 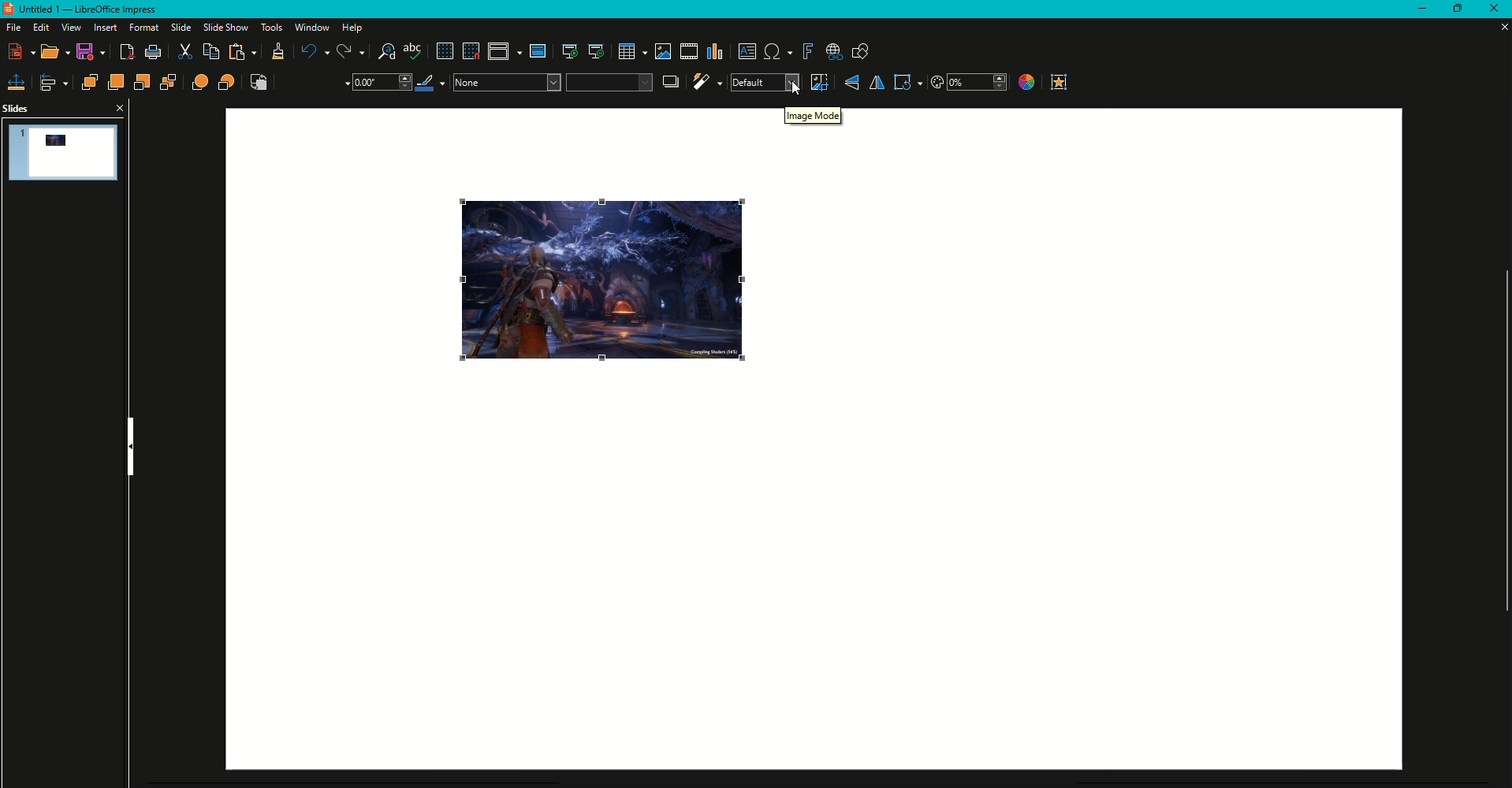 What do you see at coordinates (259, 83) in the screenshot?
I see `Reverse` at bounding box center [259, 83].